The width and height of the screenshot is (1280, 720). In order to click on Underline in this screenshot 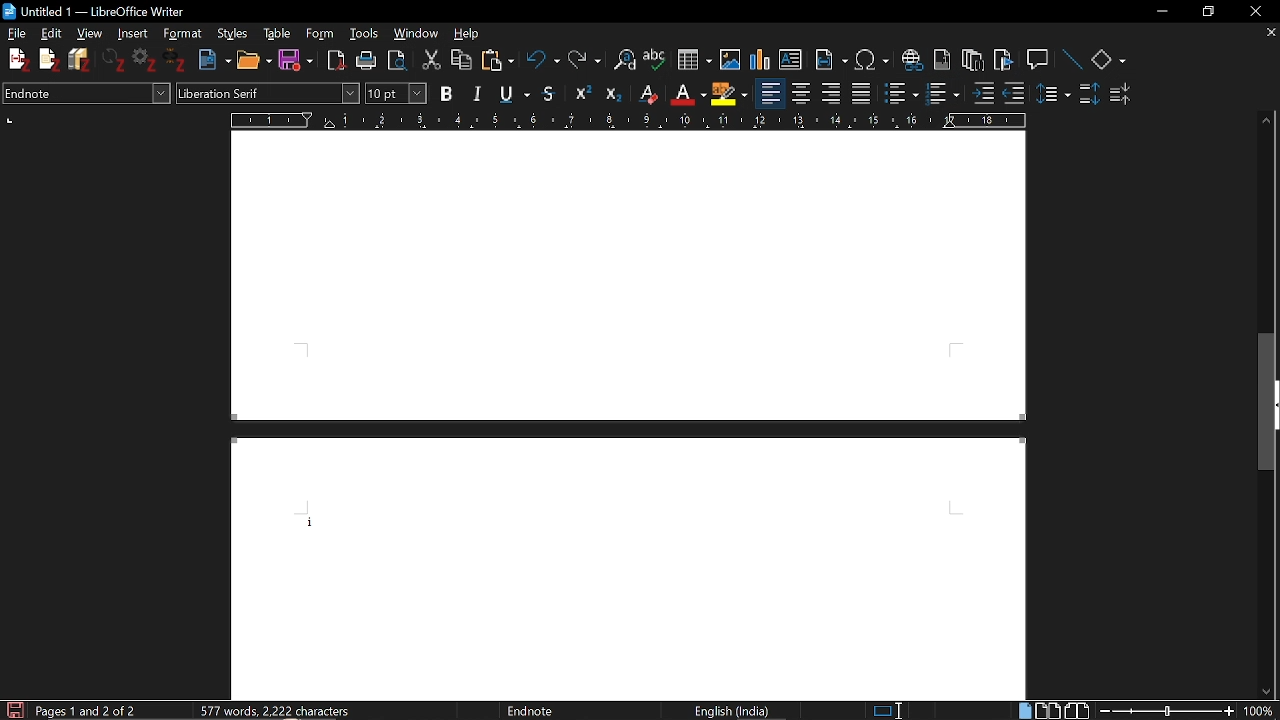, I will do `click(689, 95)`.